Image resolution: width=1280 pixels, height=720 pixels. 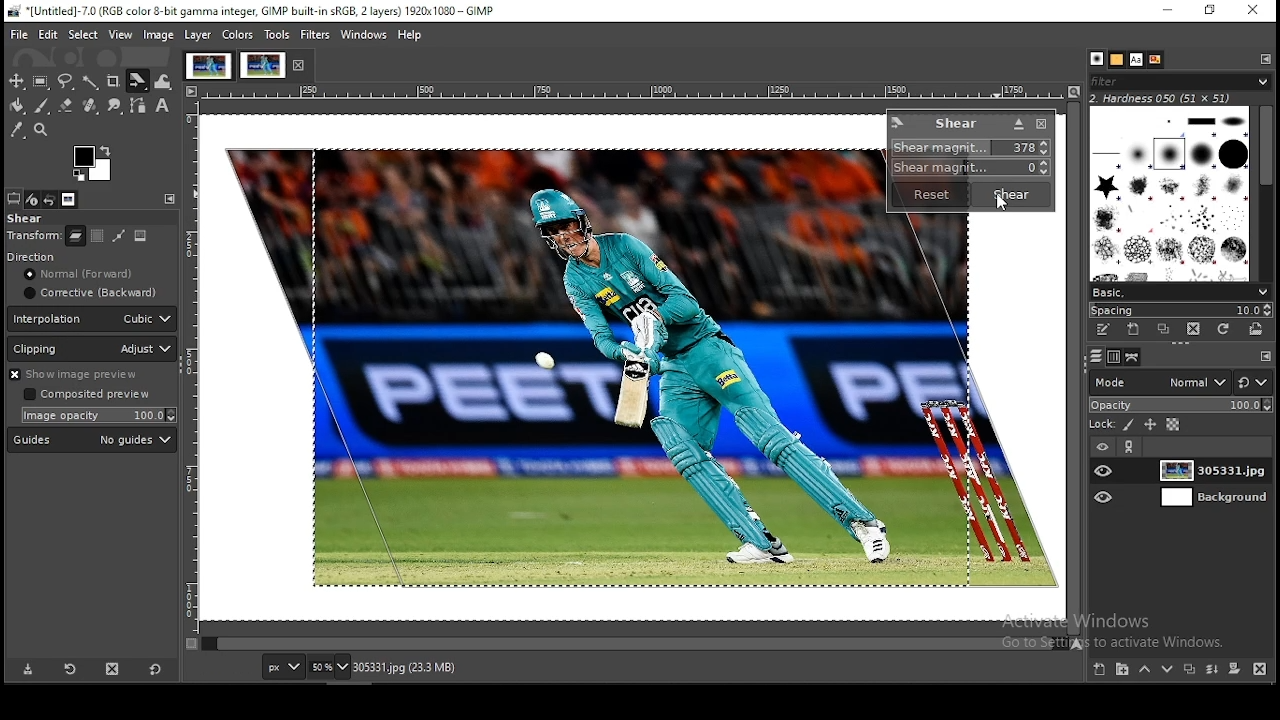 What do you see at coordinates (138, 105) in the screenshot?
I see `paths tools` at bounding box center [138, 105].